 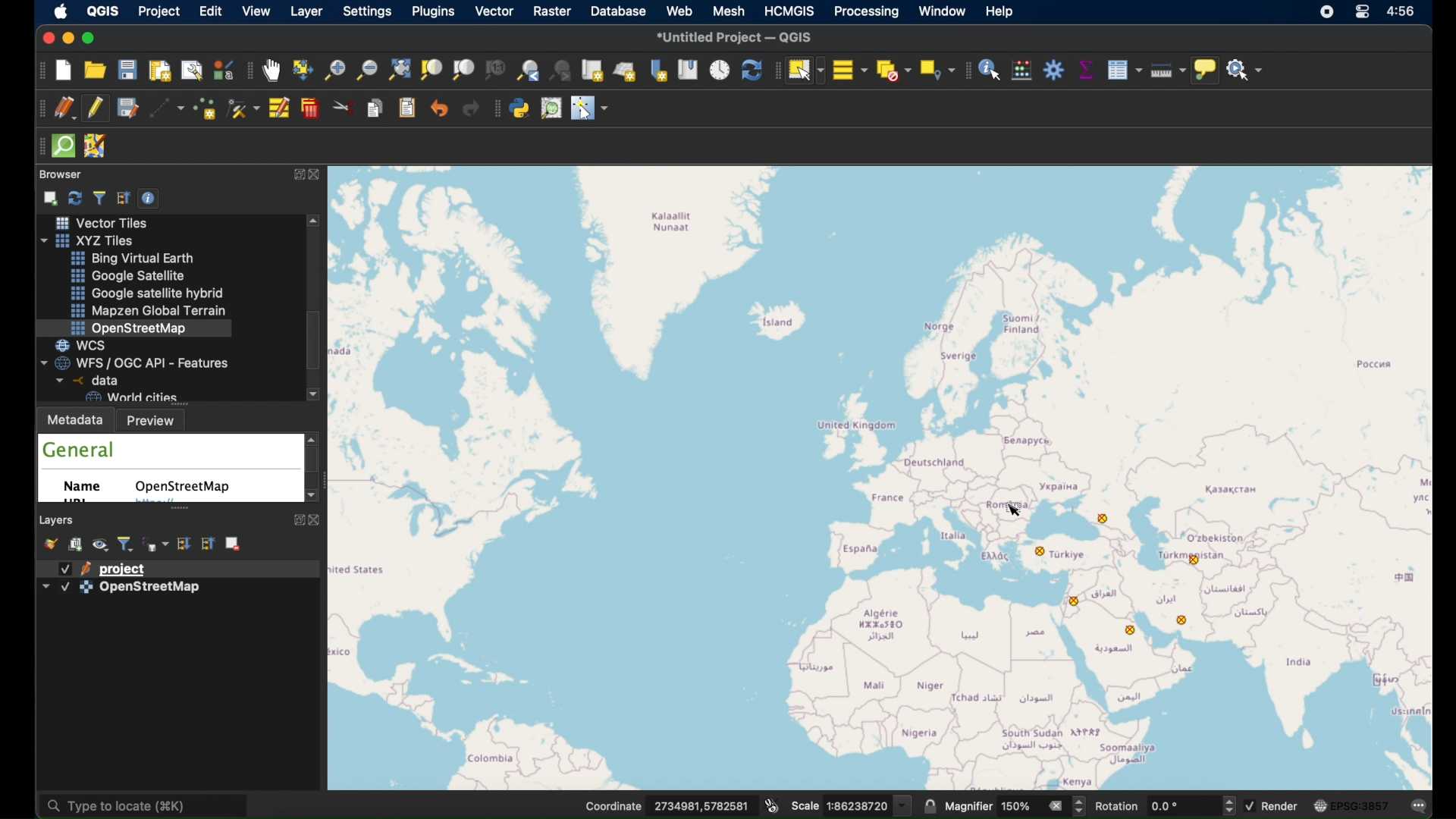 What do you see at coordinates (207, 543) in the screenshot?
I see `collapse all` at bounding box center [207, 543].